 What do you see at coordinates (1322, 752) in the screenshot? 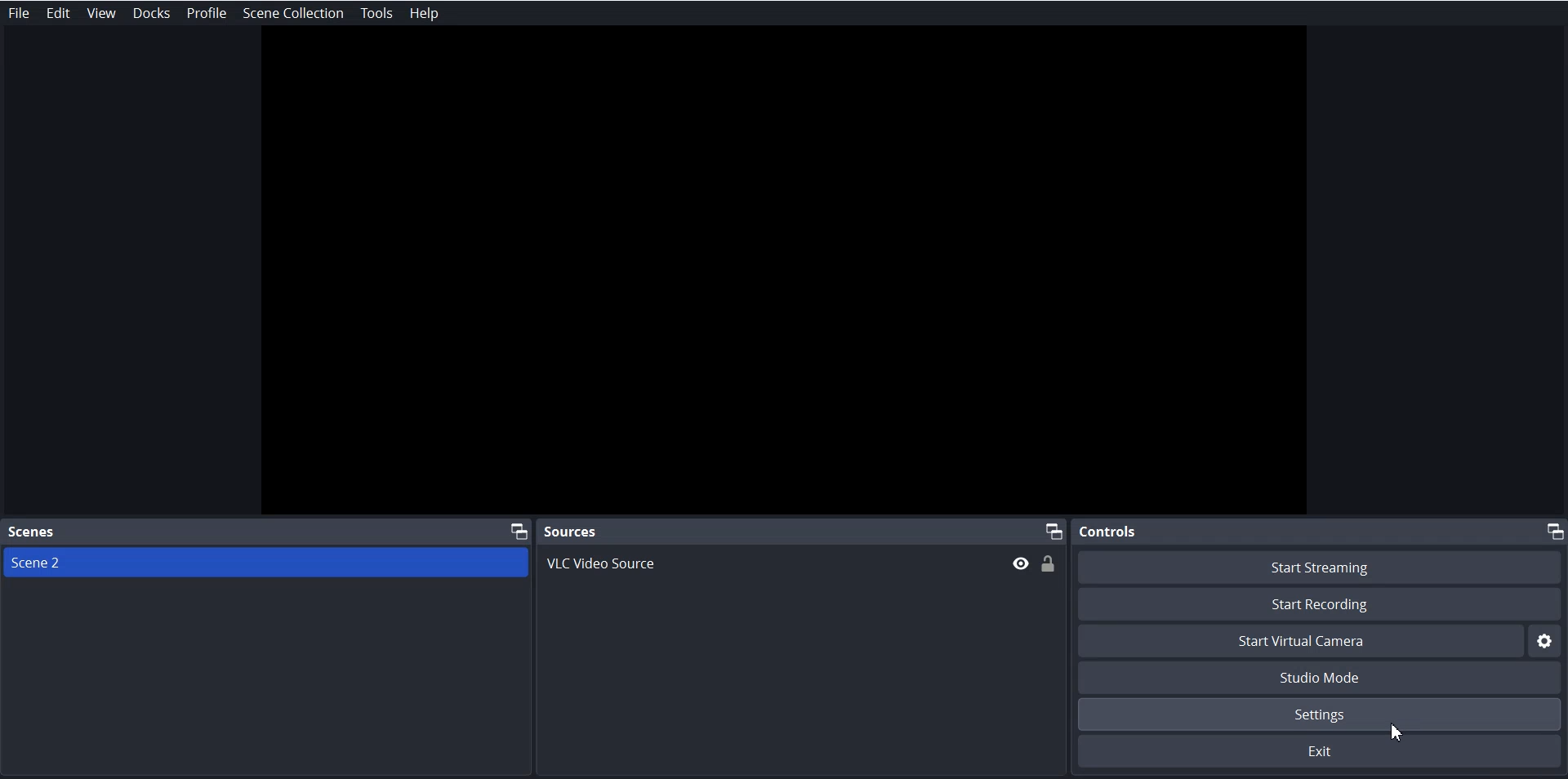
I see `Exit` at bounding box center [1322, 752].